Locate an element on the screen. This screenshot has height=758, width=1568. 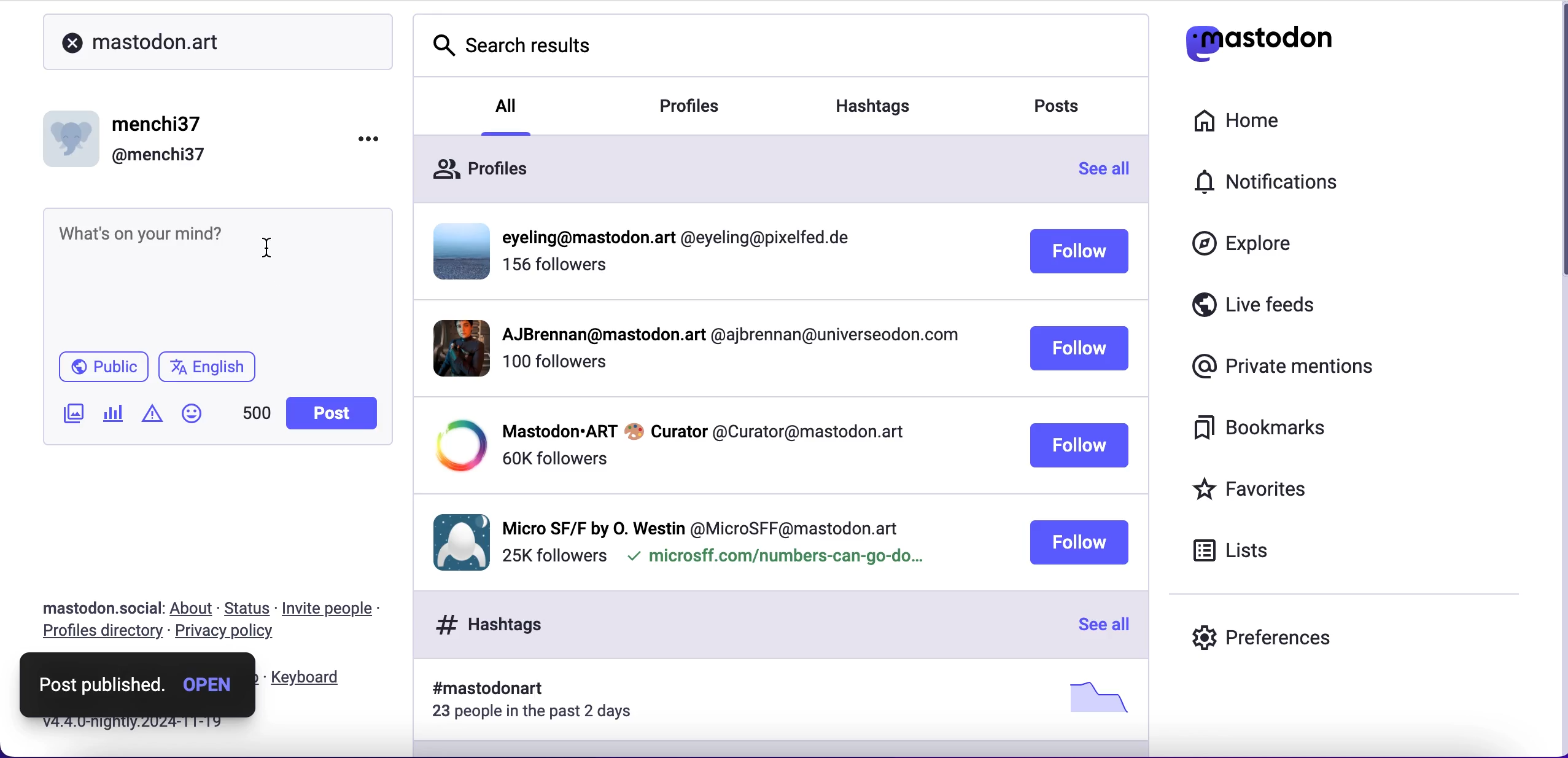
mastodon logo is located at coordinates (1263, 38).